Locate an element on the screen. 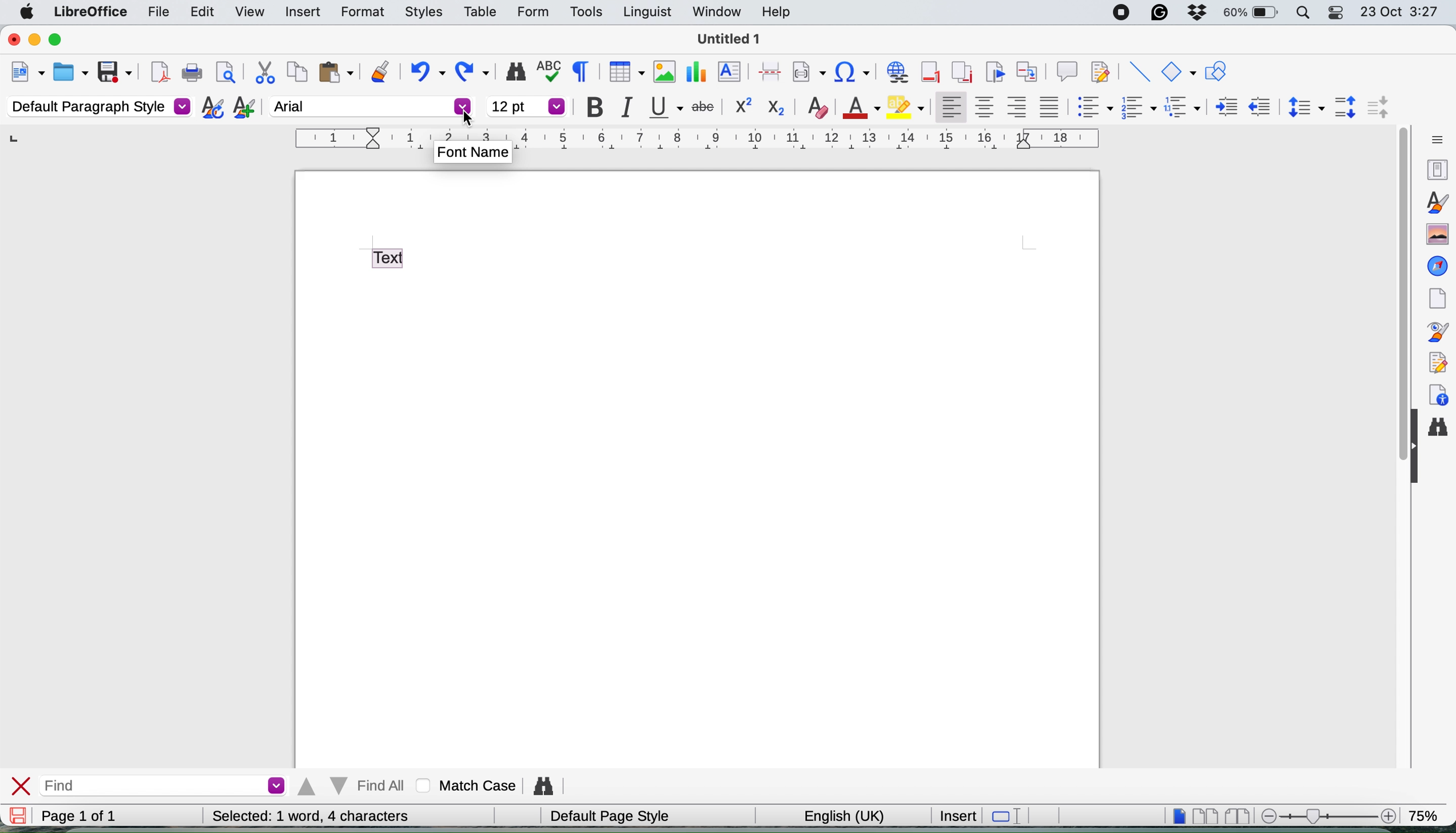 The width and height of the screenshot is (1456, 833). maximise is located at coordinates (62, 41).